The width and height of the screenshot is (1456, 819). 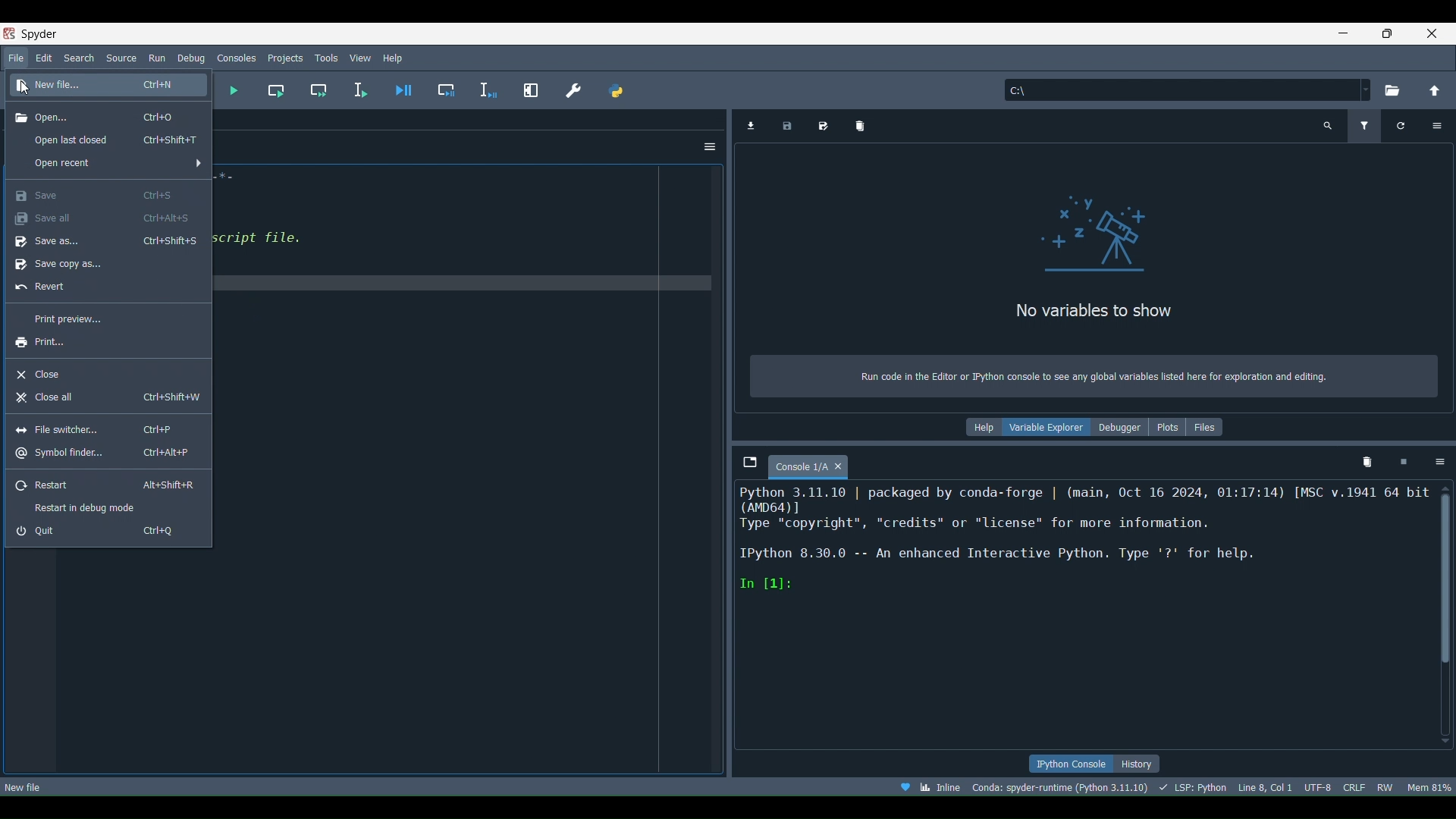 What do you see at coordinates (824, 124) in the screenshot?
I see `Save data as` at bounding box center [824, 124].